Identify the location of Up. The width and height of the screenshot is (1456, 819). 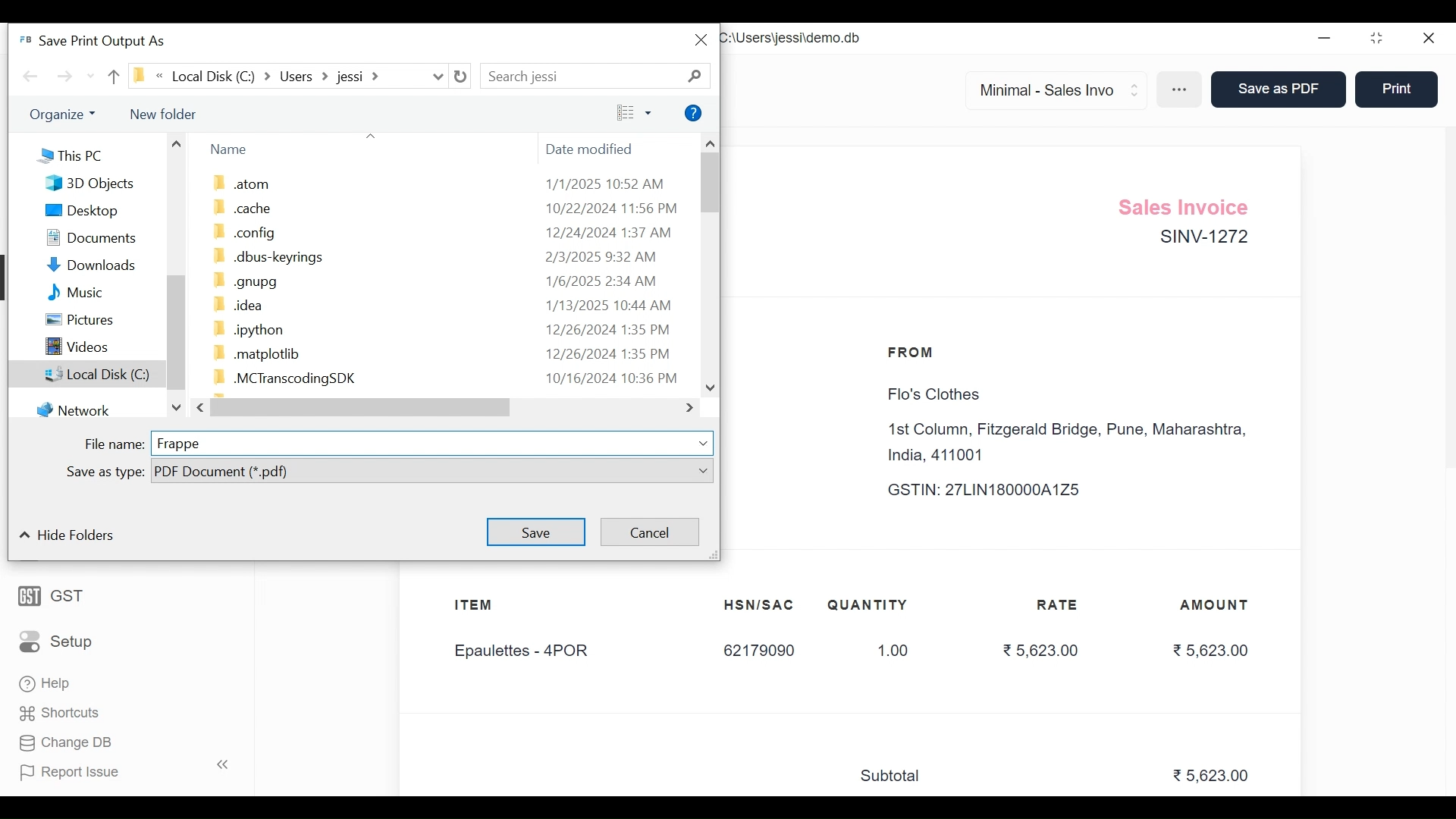
(111, 77).